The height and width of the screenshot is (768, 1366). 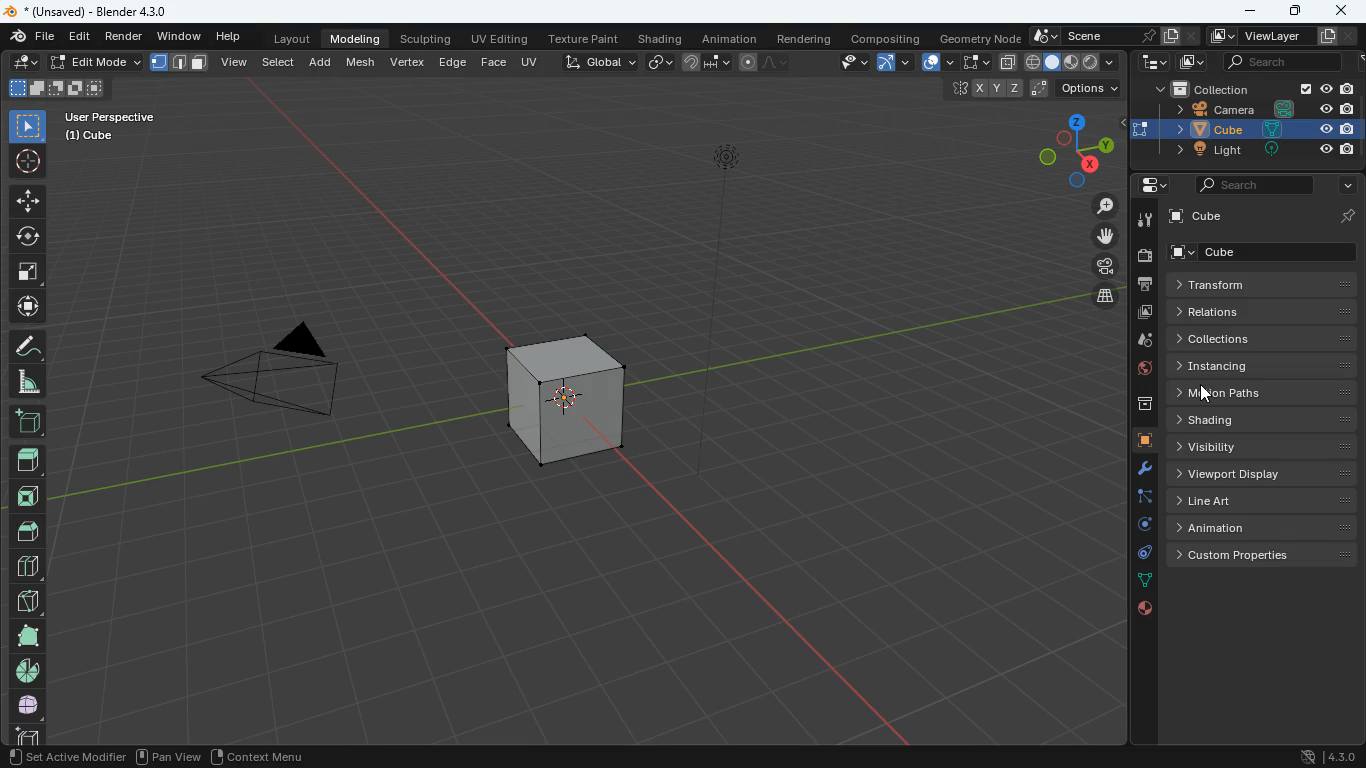 What do you see at coordinates (452, 61) in the screenshot?
I see `edge` at bounding box center [452, 61].